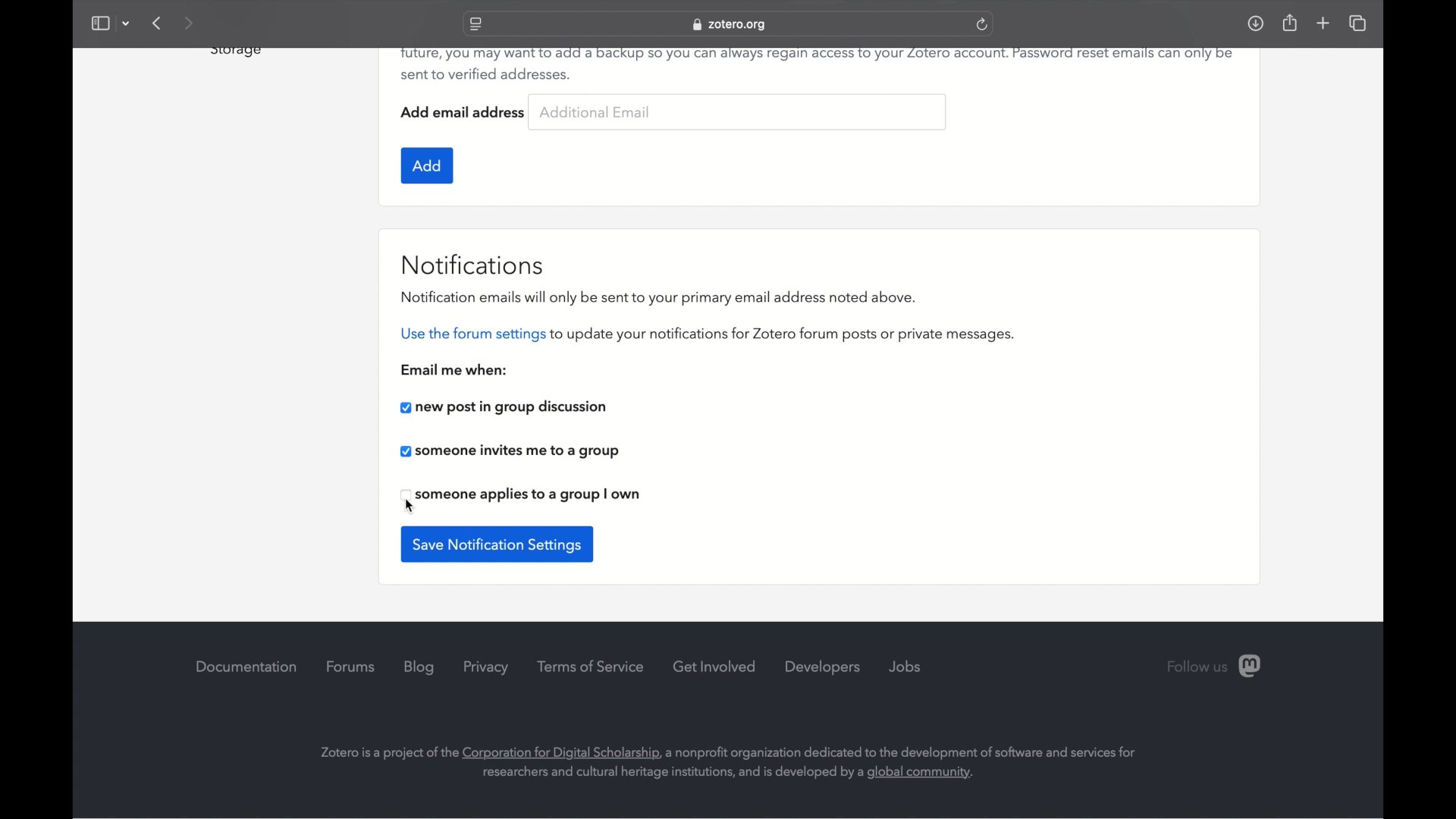  Describe the element at coordinates (126, 23) in the screenshot. I see `dropdown` at that location.